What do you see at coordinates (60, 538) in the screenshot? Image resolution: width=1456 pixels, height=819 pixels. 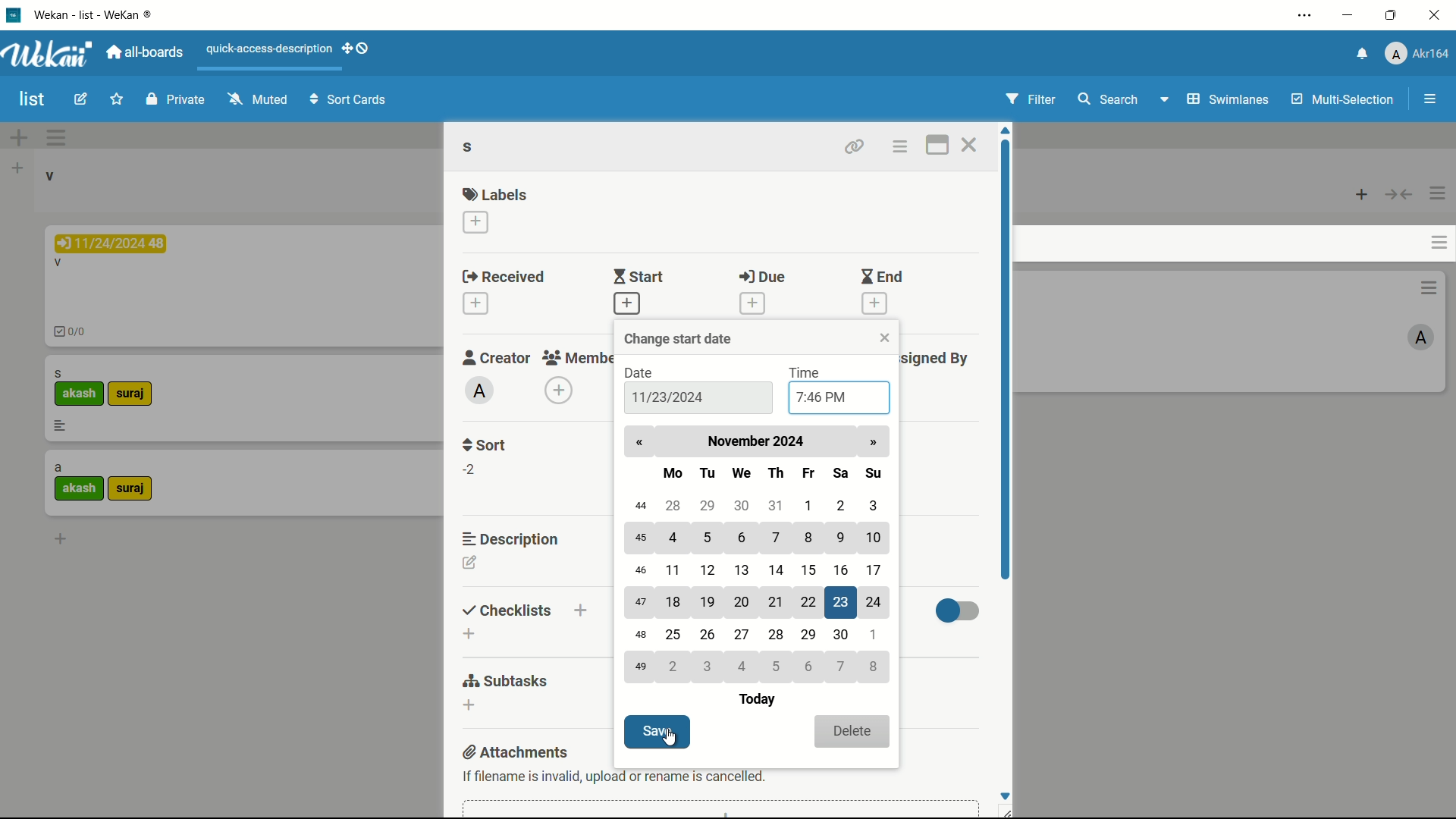 I see `add card bottom` at bounding box center [60, 538].